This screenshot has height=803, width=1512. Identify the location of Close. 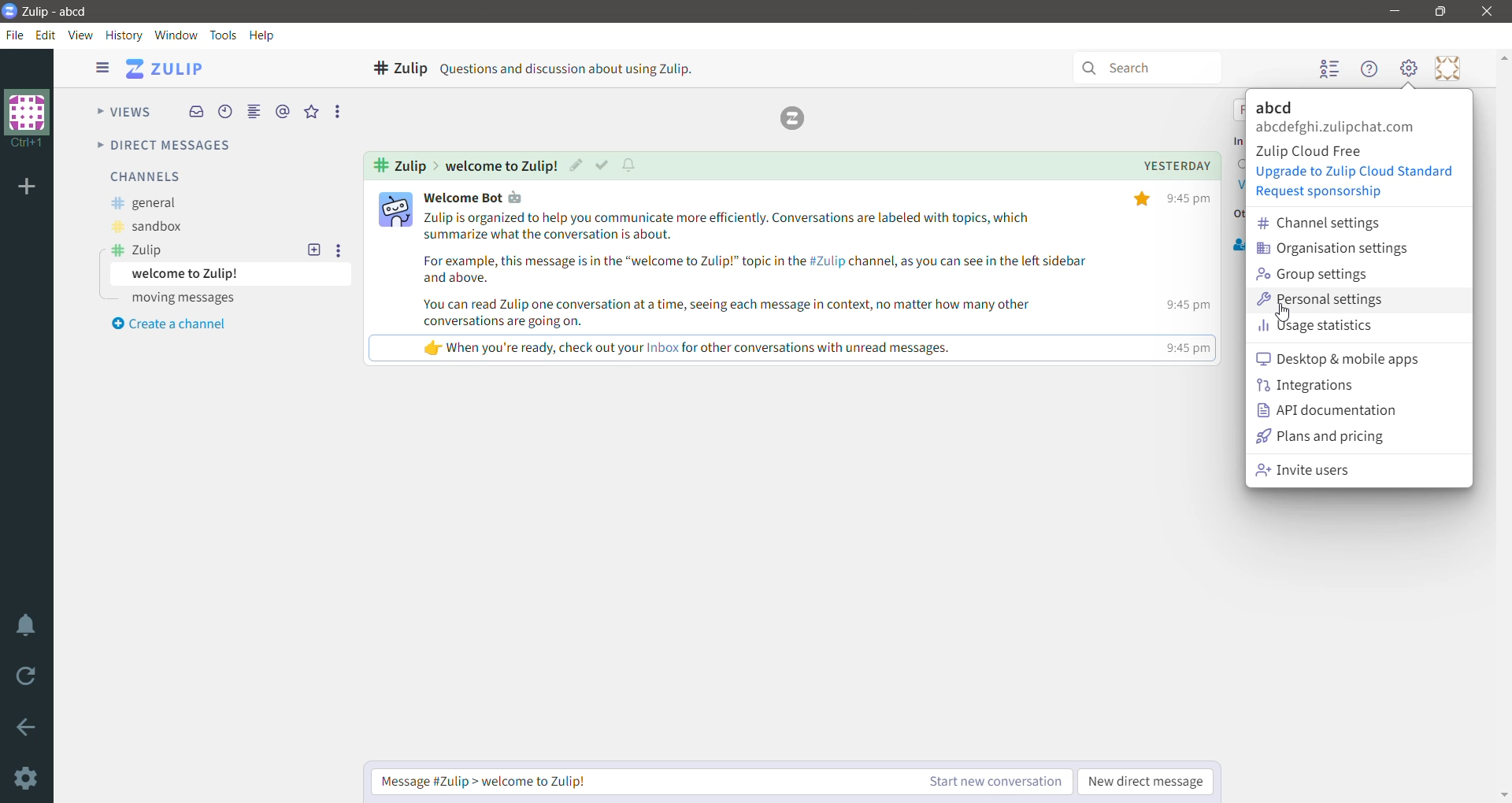
(1487, 12).